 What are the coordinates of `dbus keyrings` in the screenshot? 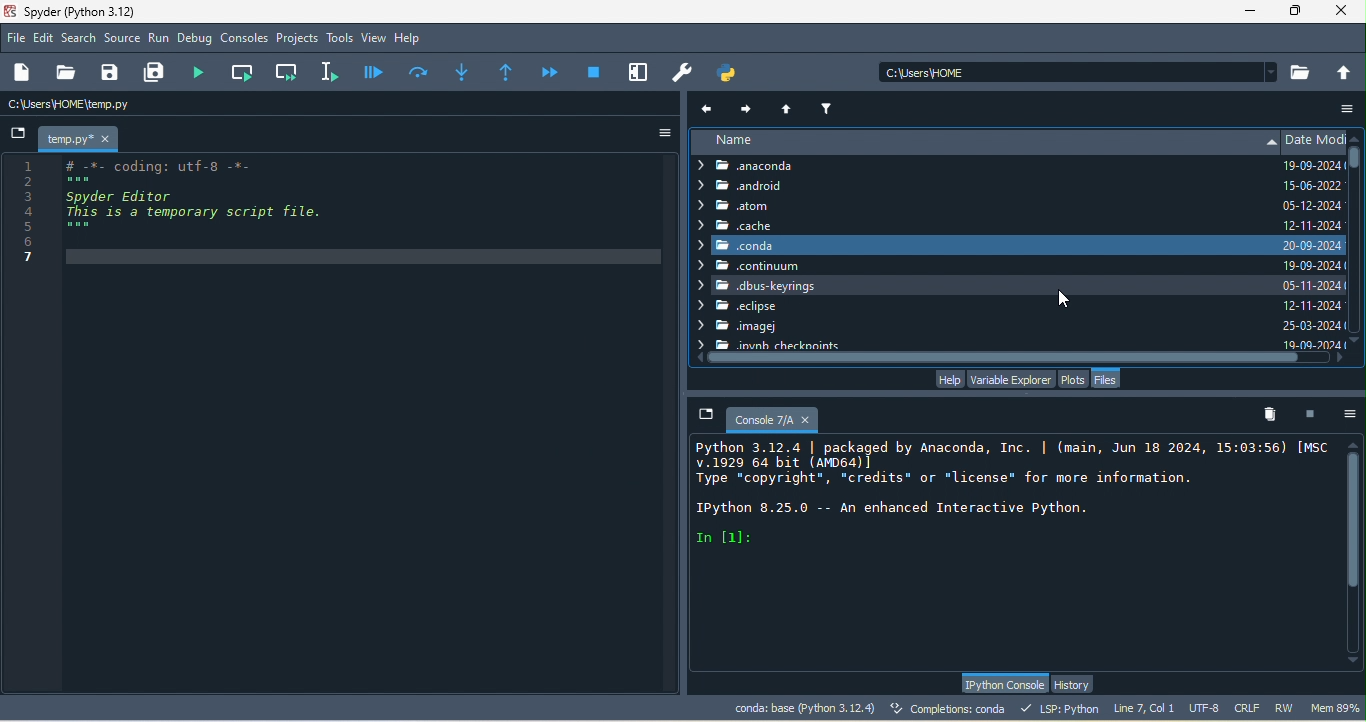 It's located at (986, 286).